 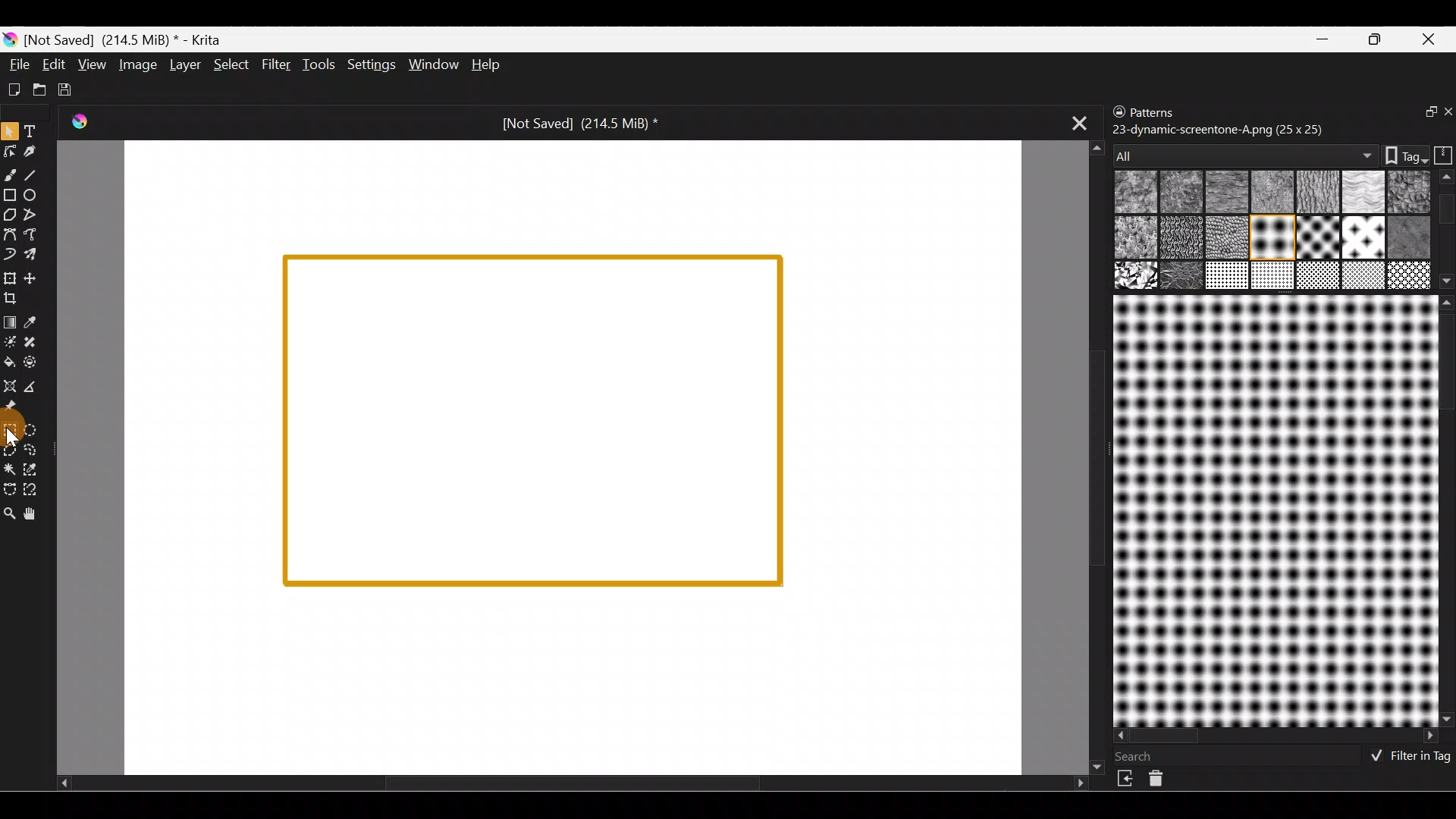 I want to click on 09b drawed_crossedlines.png, so click(x=1225, y=237).